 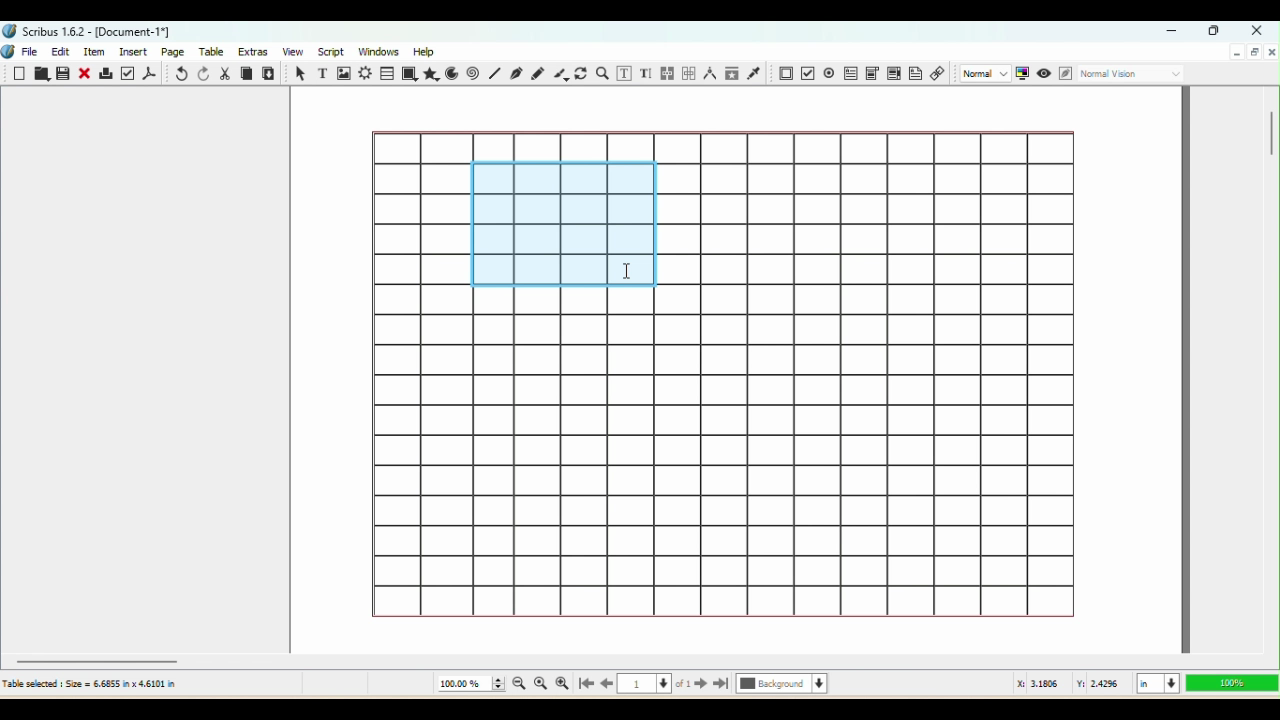 What do you see at coordinates (21, 74) in the screenshot?
I see `New` at bounding box center [21, 74].